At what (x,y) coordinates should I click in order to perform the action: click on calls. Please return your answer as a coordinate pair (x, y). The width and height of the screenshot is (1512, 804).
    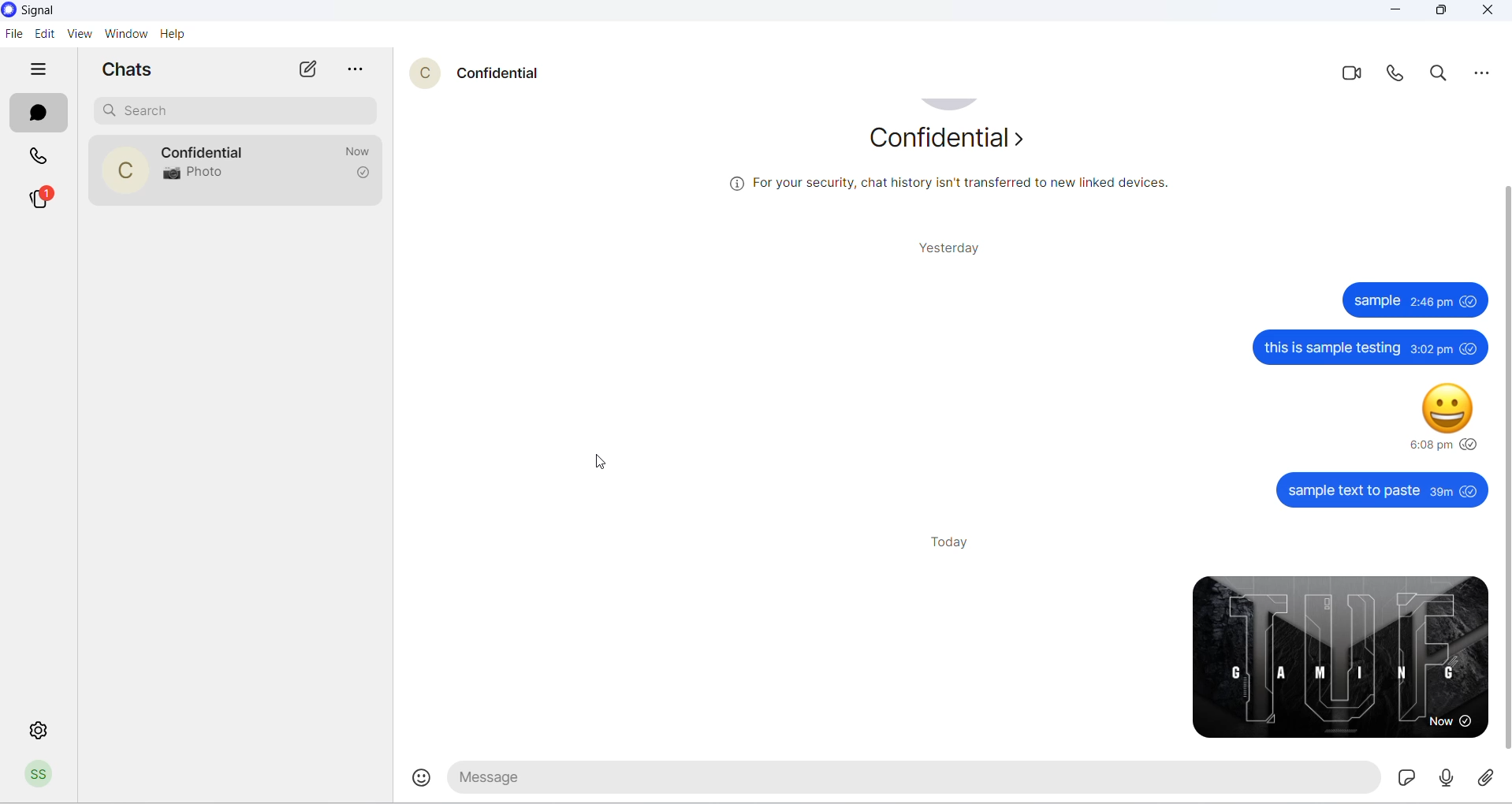
    Looking at the image, I should click on (43, 158).